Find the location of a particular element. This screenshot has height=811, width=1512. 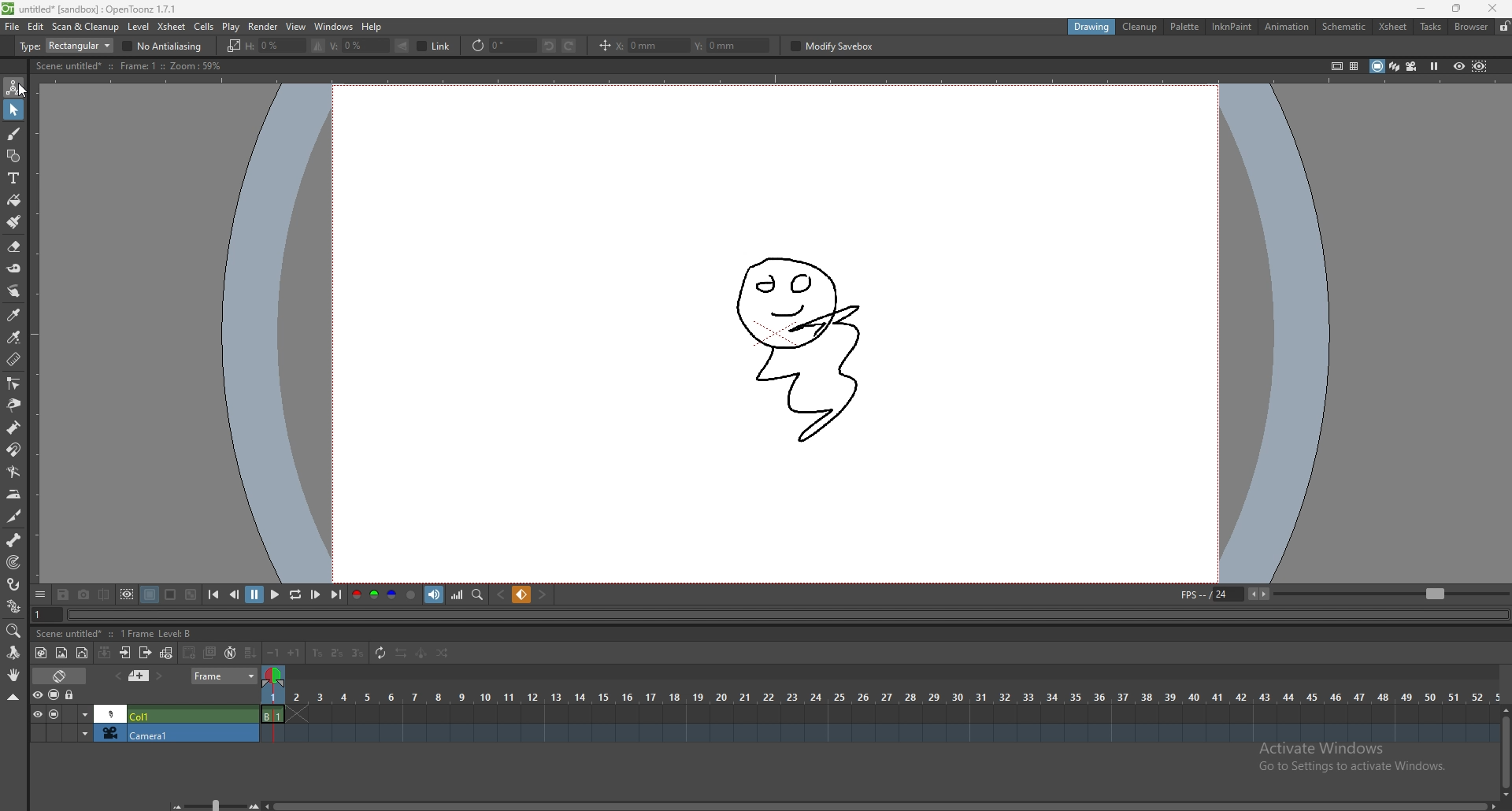

scroll bar is located at coordinates (880, 805).